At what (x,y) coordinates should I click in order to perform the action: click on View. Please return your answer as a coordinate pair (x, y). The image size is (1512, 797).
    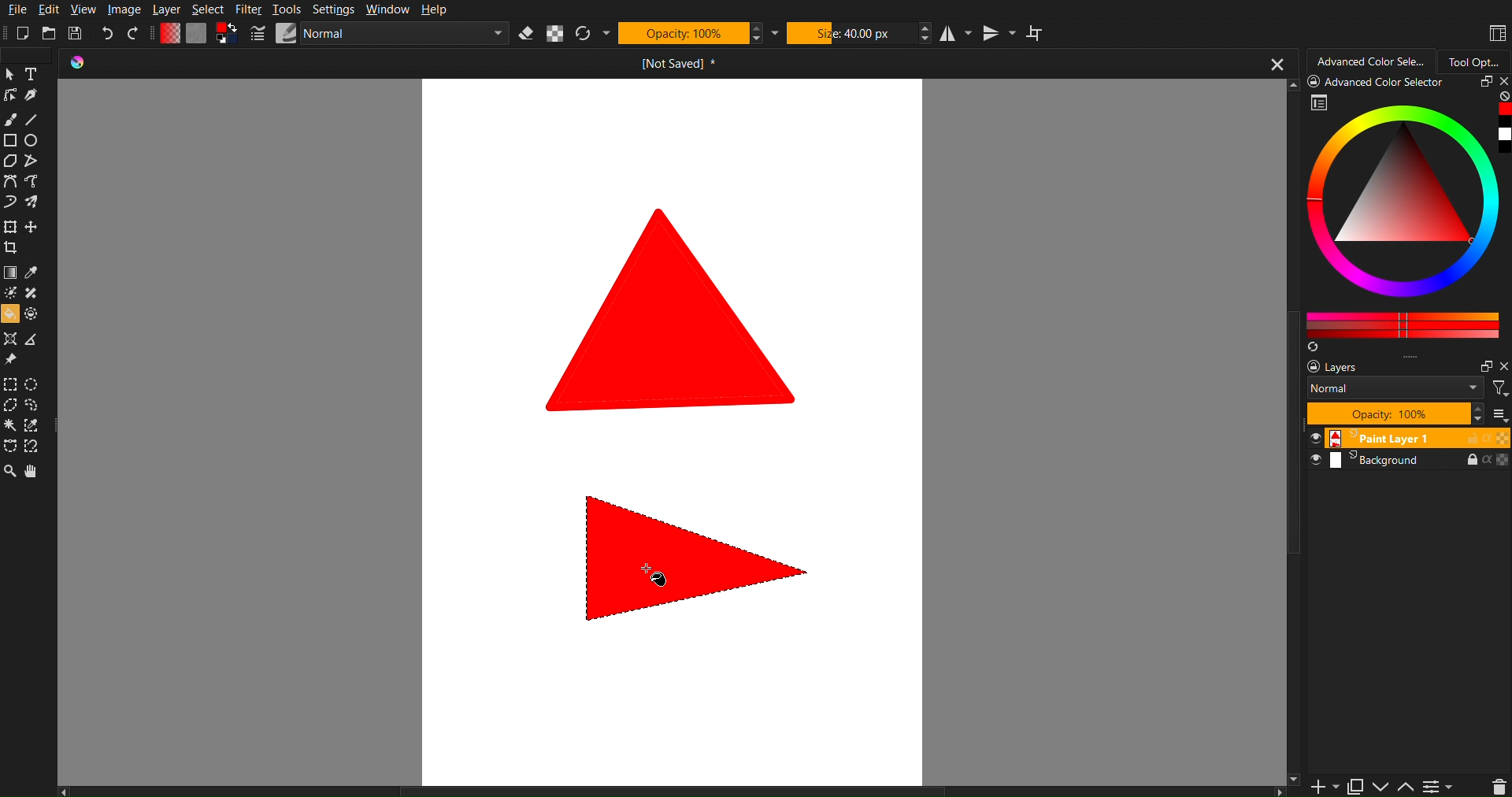
    Looking at the image, I should click on (86, 9).